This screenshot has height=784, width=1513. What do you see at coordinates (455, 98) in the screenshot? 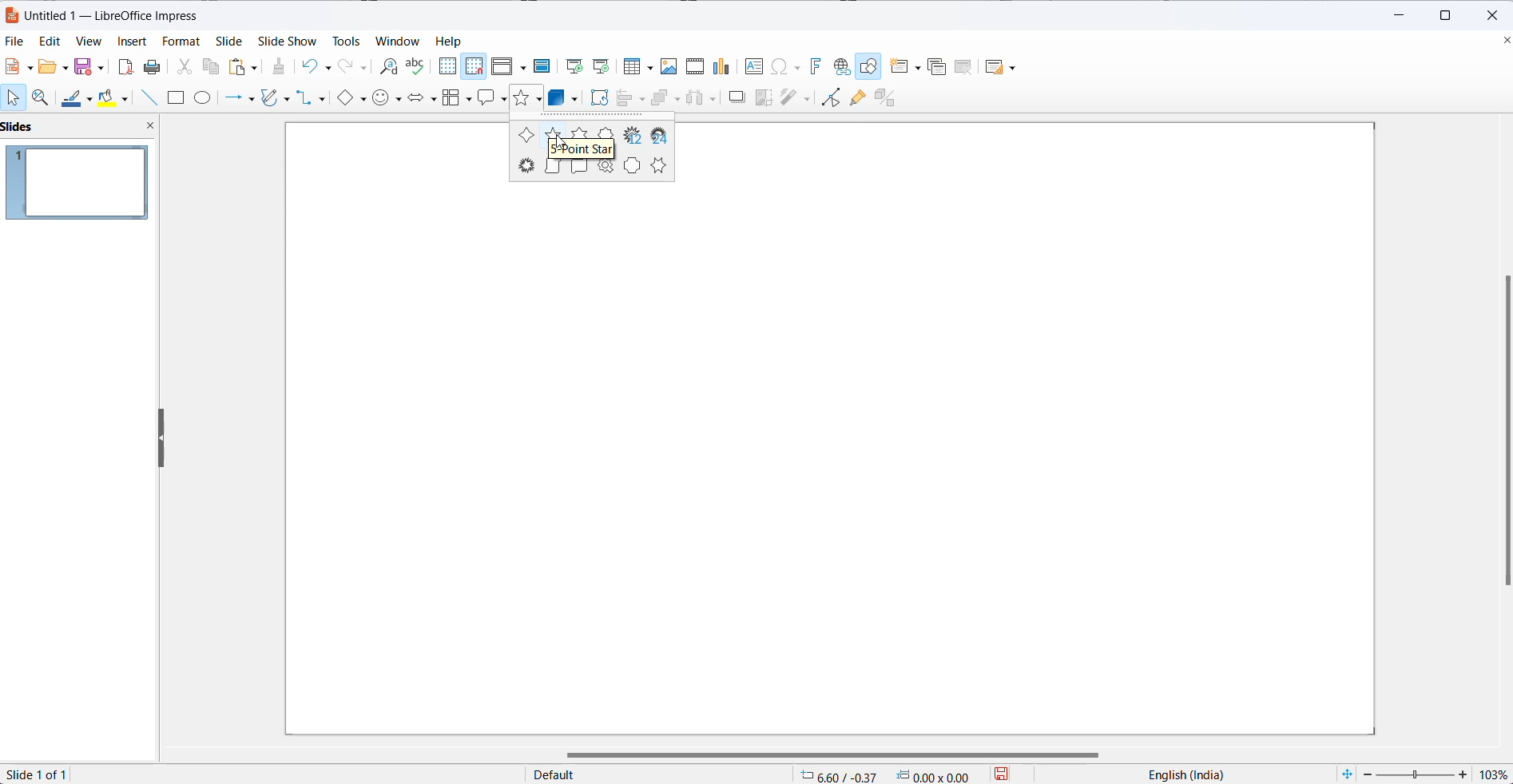
I see `flowchart` at bounding box center [455, 98].